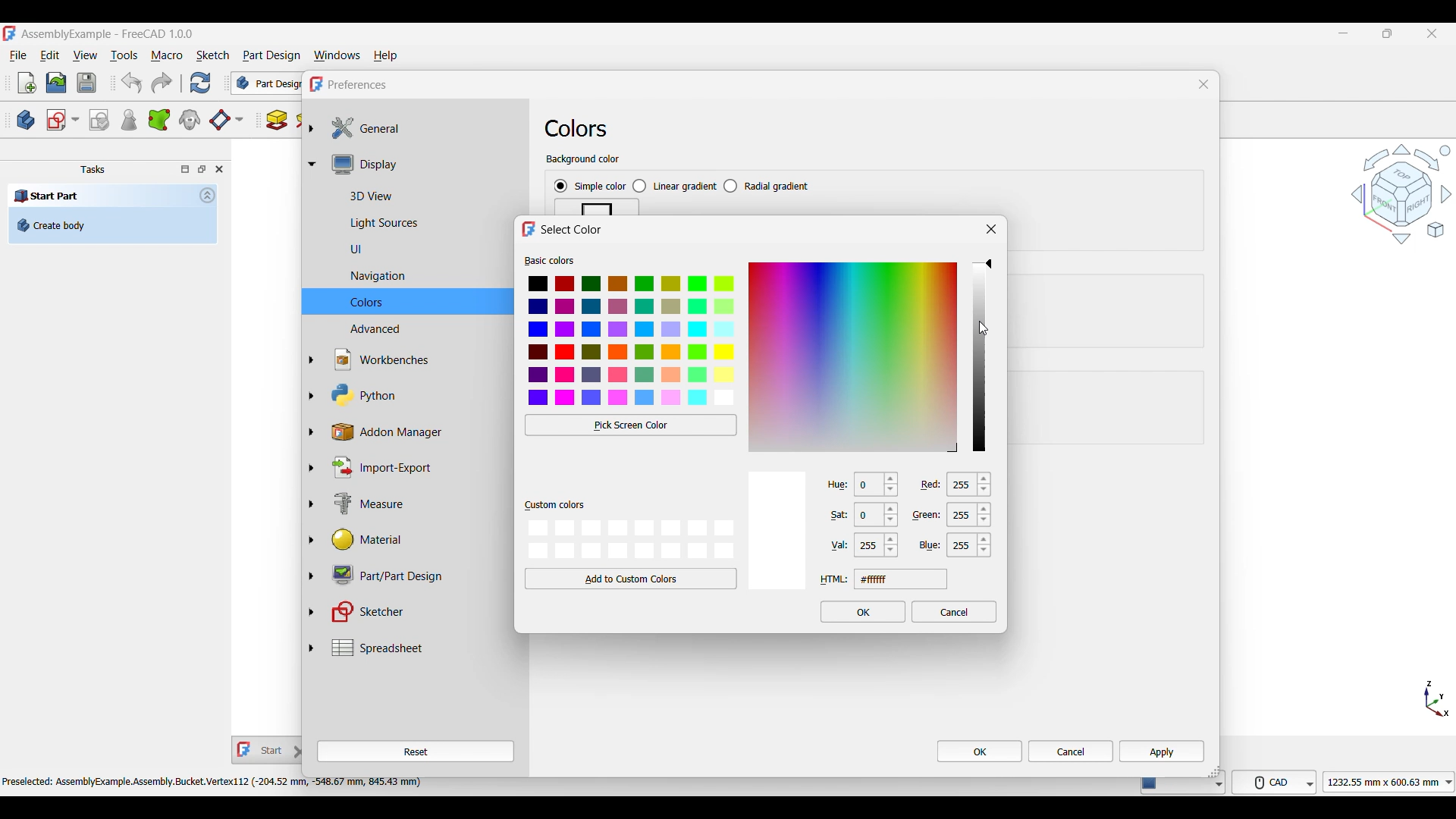 This screenshot has width=1456, height=819. Describe the element at coordinates (989, 264) in the screenshot. I see `Color picker` at that location.